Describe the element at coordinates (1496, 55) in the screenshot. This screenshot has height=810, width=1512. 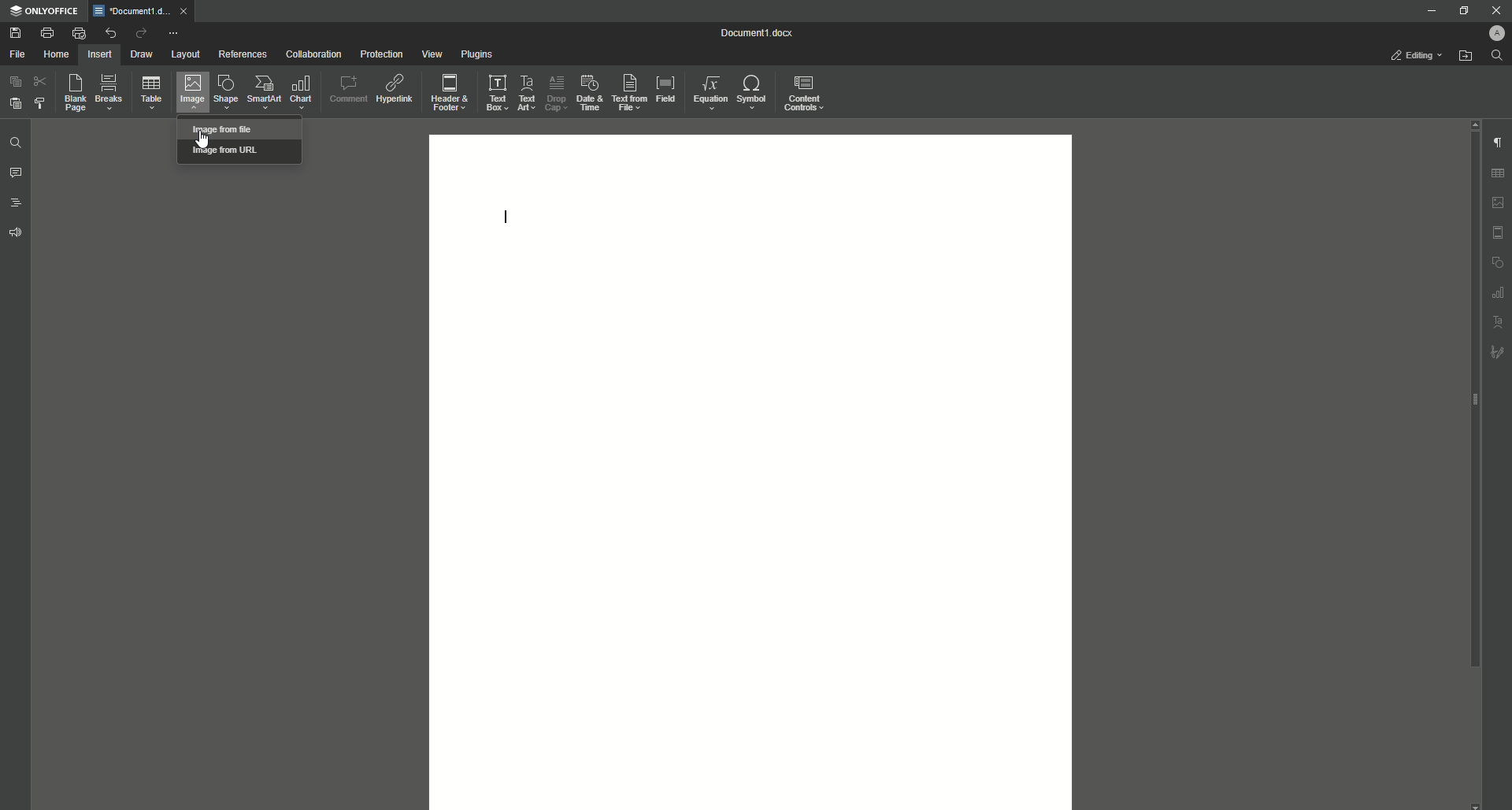
I see `Find` at that location.